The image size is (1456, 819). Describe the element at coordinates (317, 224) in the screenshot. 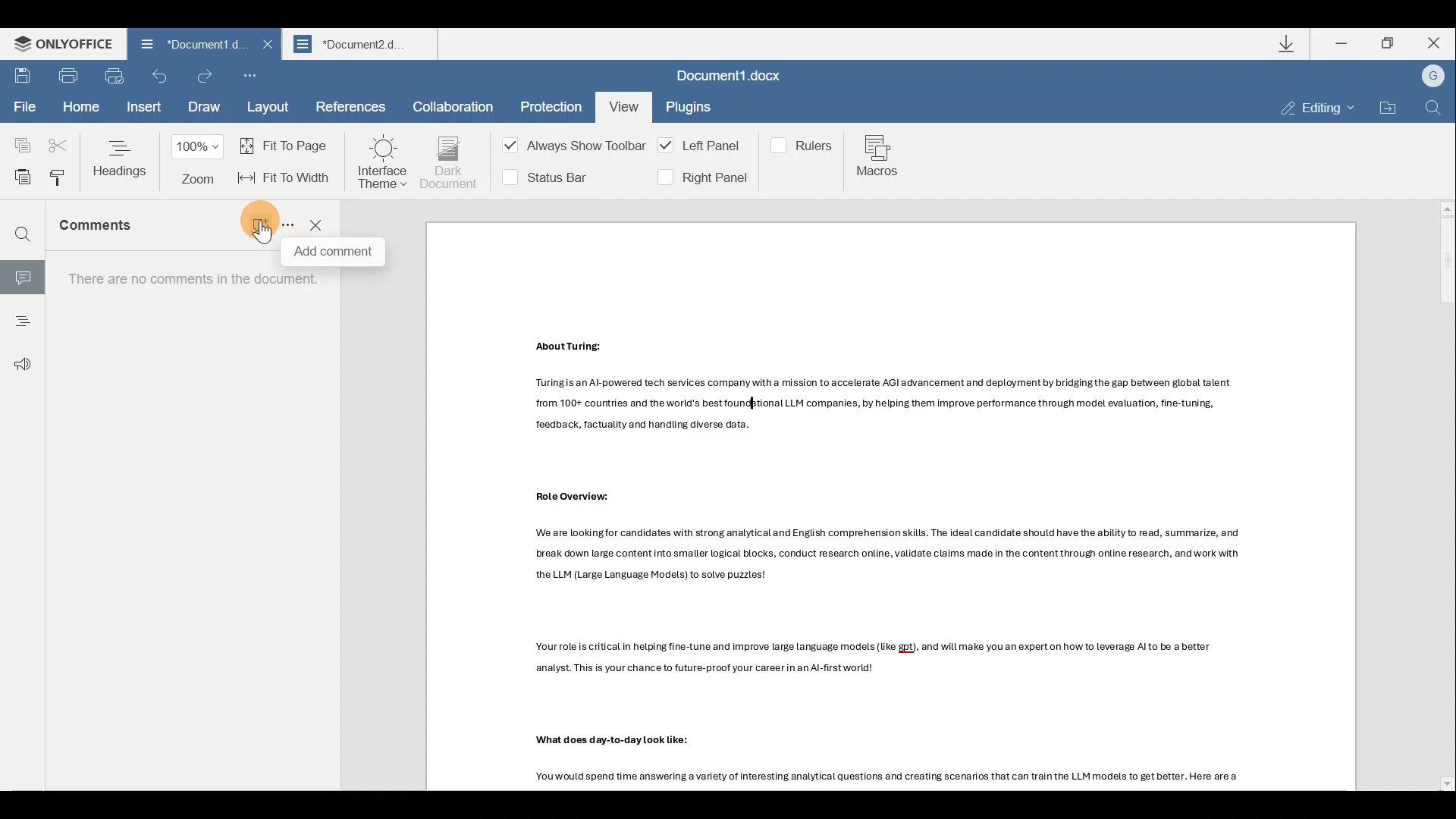

I see `Close comments` at that location.